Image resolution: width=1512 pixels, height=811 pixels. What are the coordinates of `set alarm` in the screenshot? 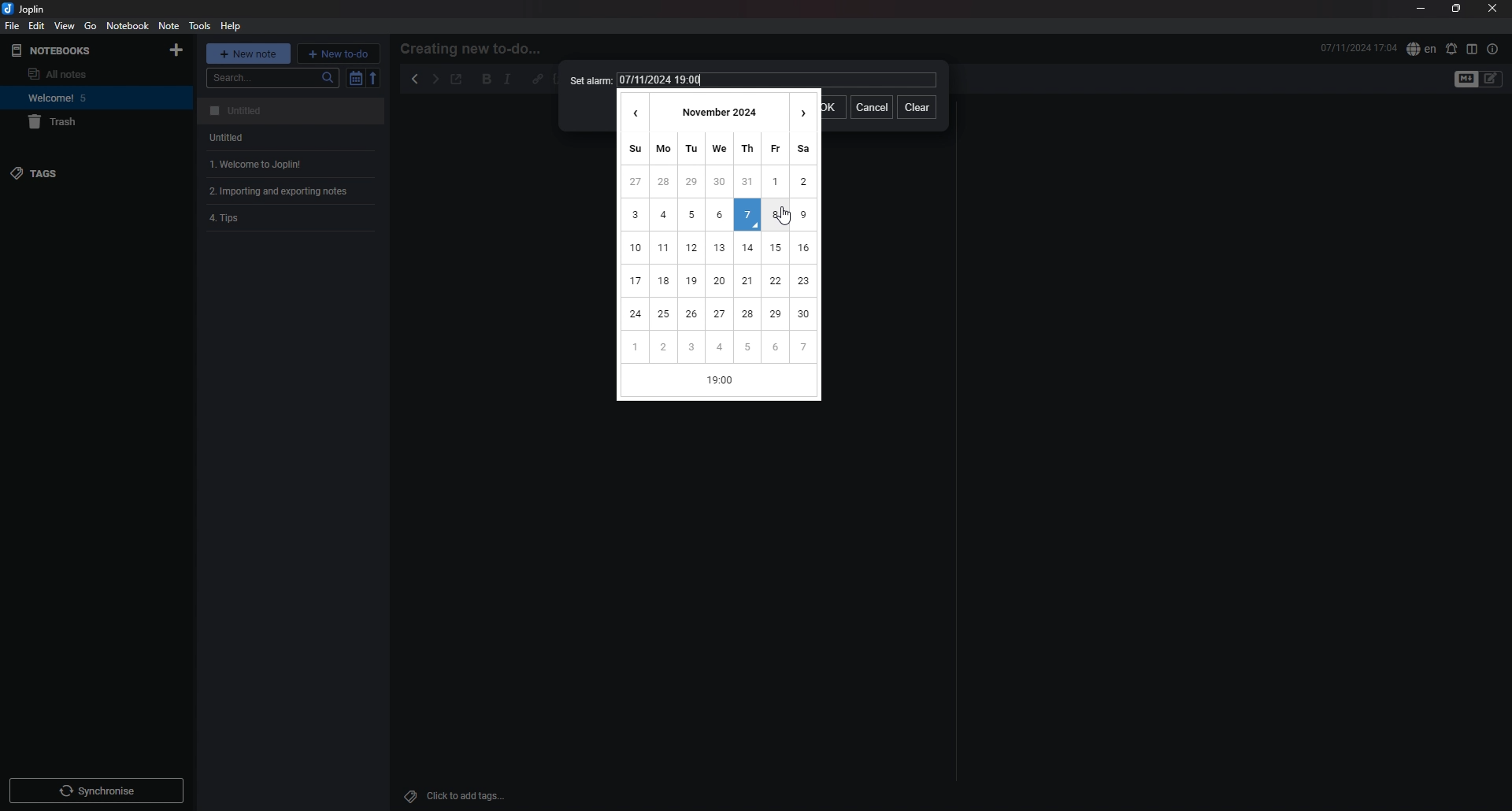 It's located at (588, 80).